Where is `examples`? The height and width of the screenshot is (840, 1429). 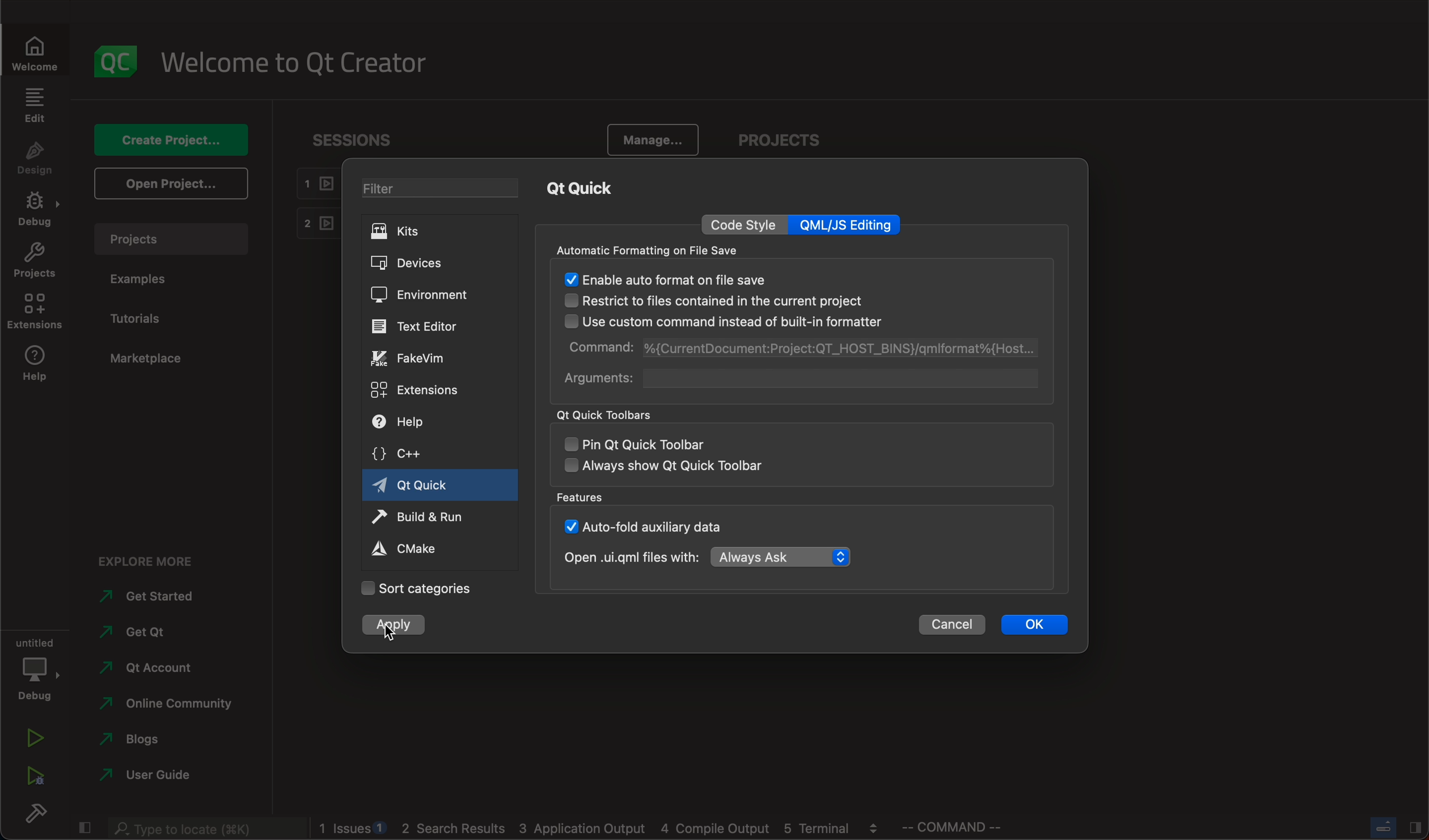
examples is located at coordinates (146, 280).